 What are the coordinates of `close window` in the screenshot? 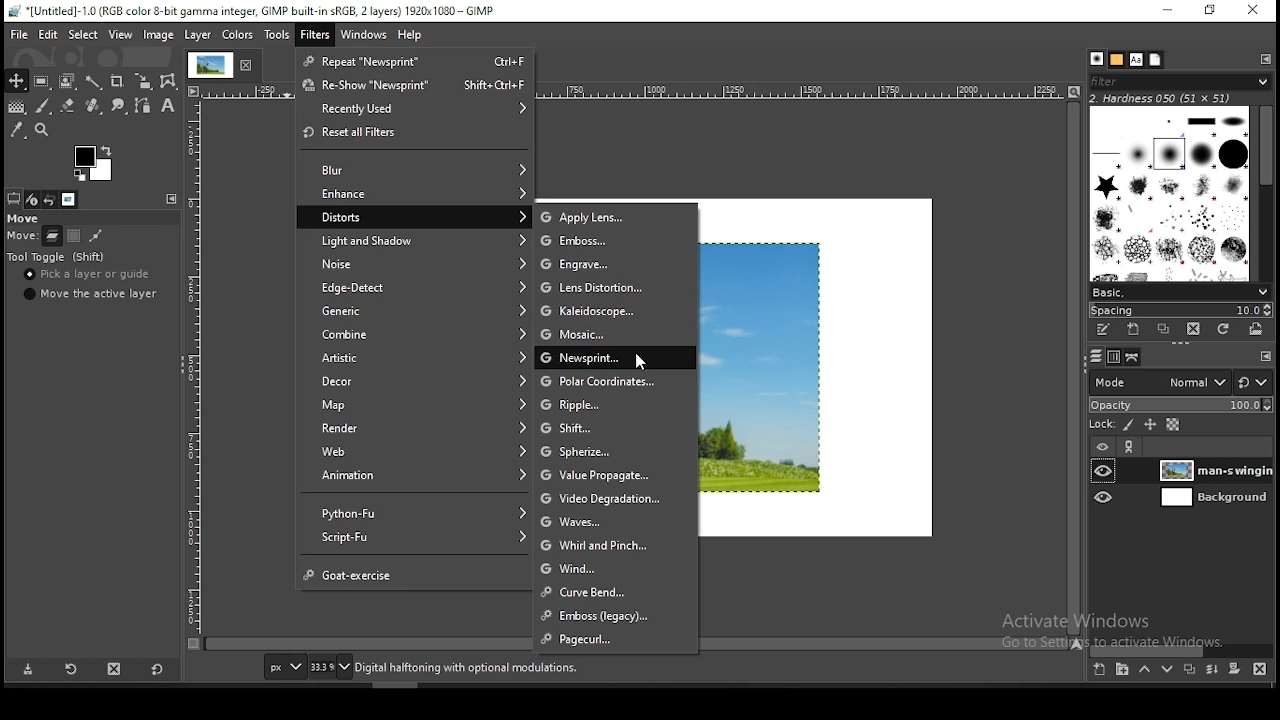 It's located at (1253, 10).